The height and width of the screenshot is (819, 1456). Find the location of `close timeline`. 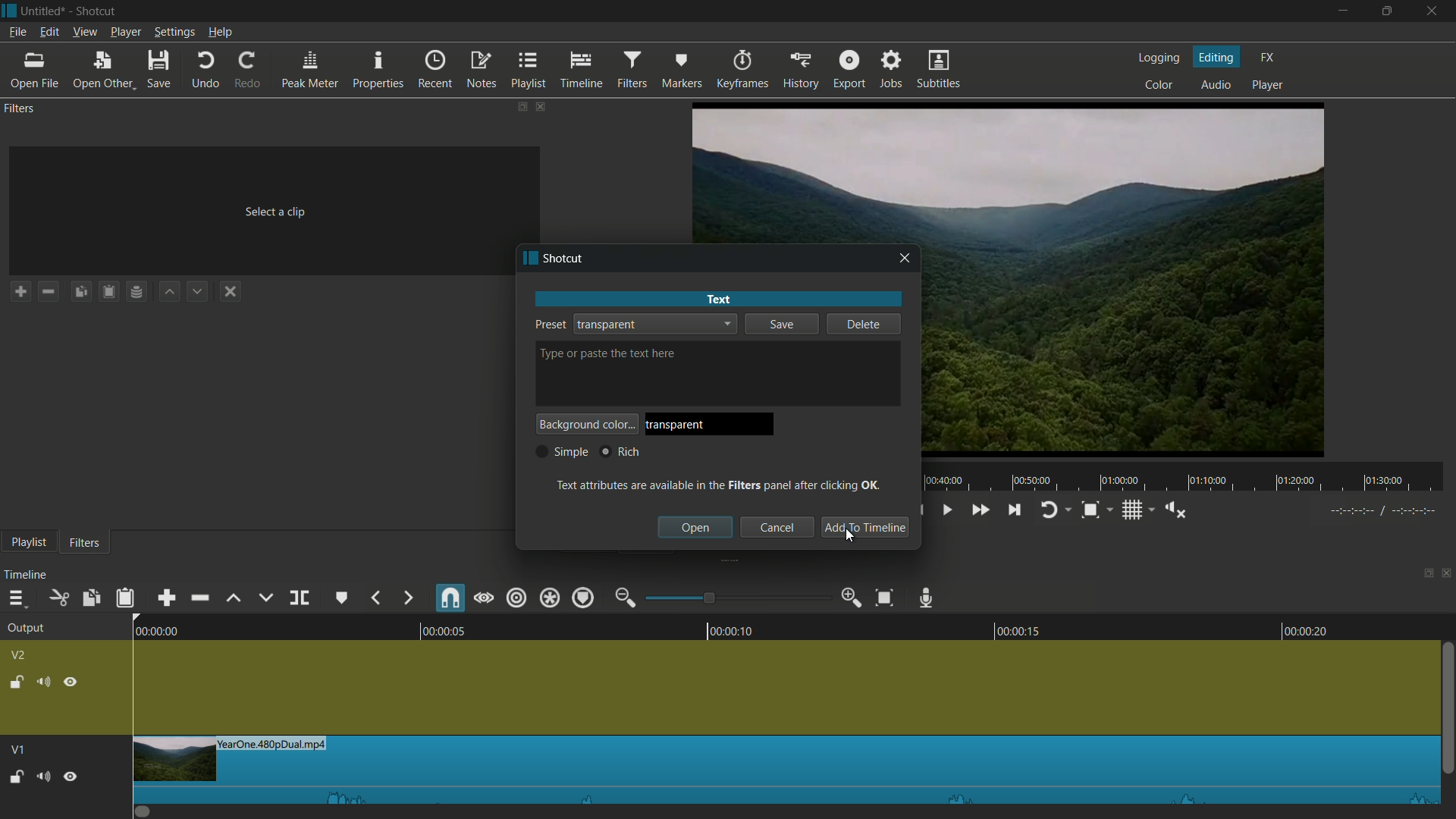

close timeline is located at coordinates (1447, 576).